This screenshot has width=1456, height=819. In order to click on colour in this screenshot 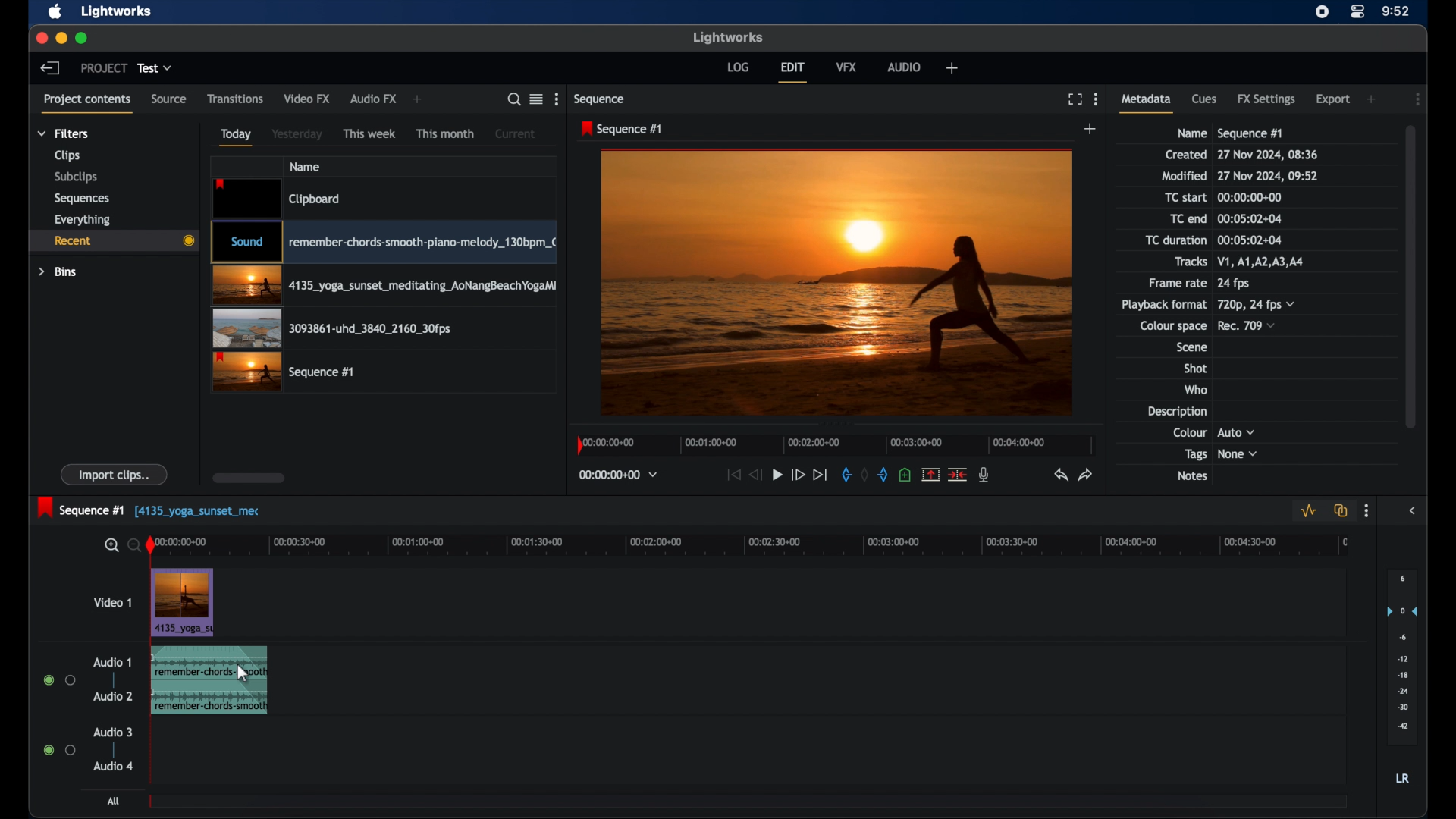, I will do `click(1189, 431)`.